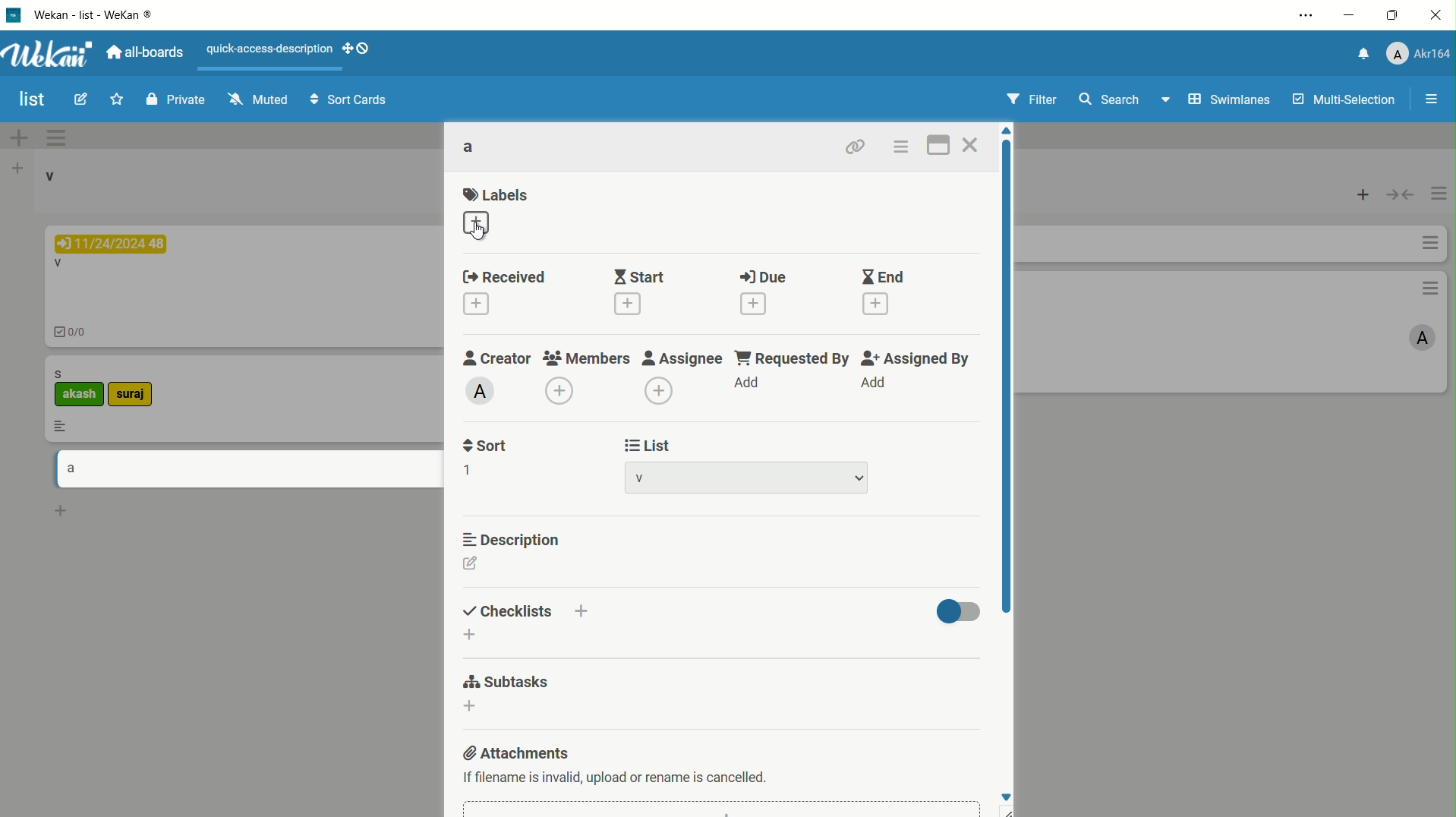 The image size is (1456, 817). What do you see at coordinates (15, 14) in the screenshot?
I see `app icon` at bounding box center [15, 14].